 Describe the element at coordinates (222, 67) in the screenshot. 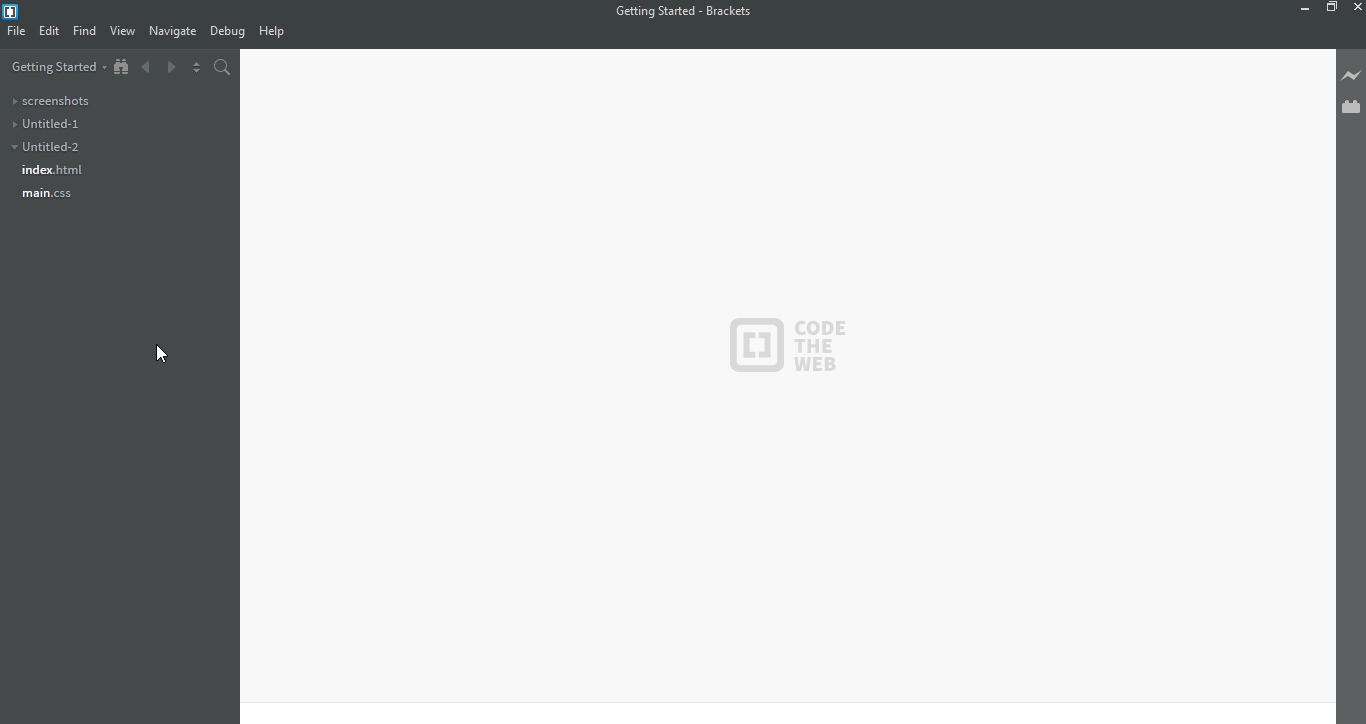

I see `search` at that location.